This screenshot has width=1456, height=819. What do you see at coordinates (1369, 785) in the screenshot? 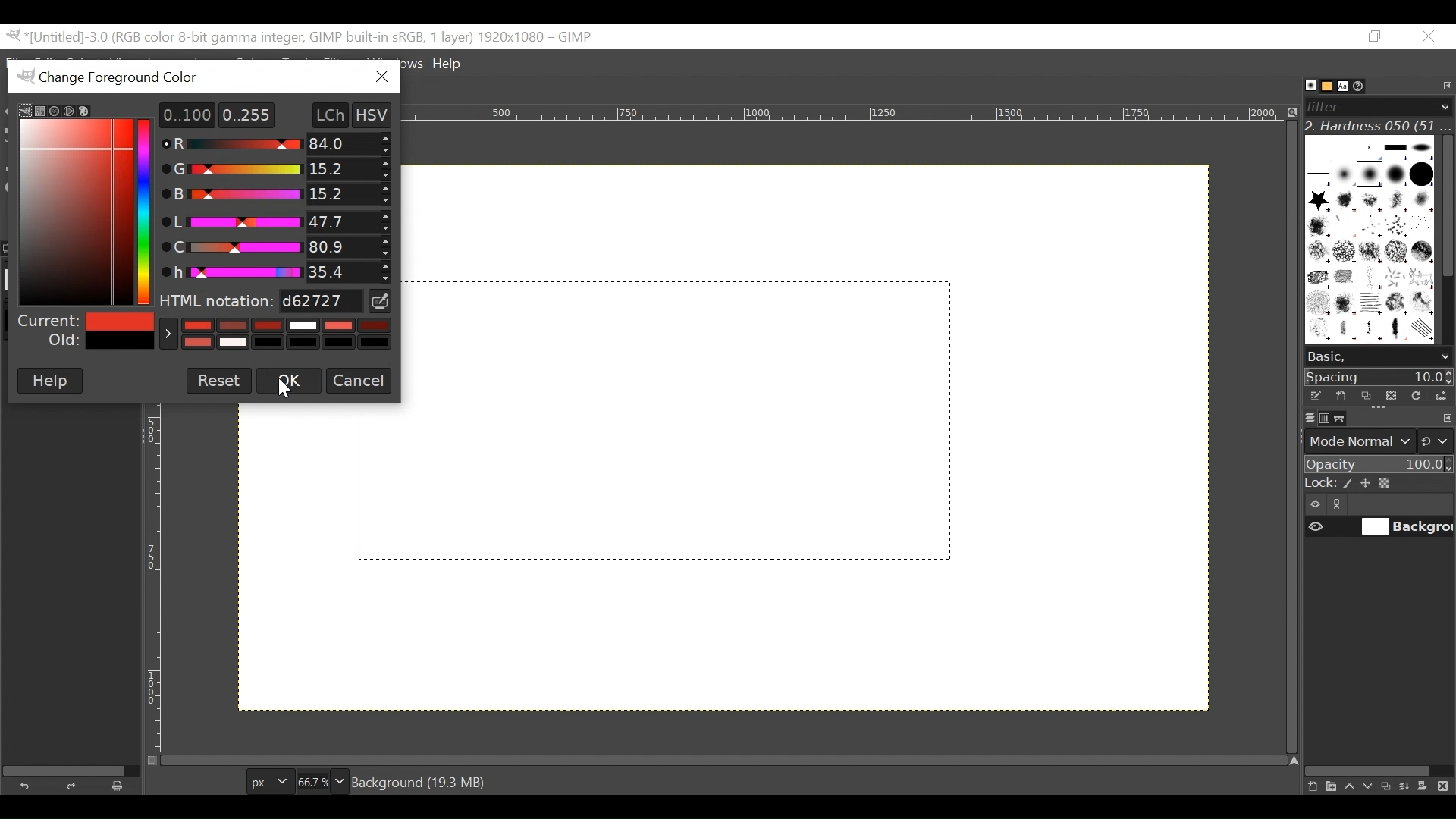
I see `Lower the layer` at bounding box center [1369, 785].